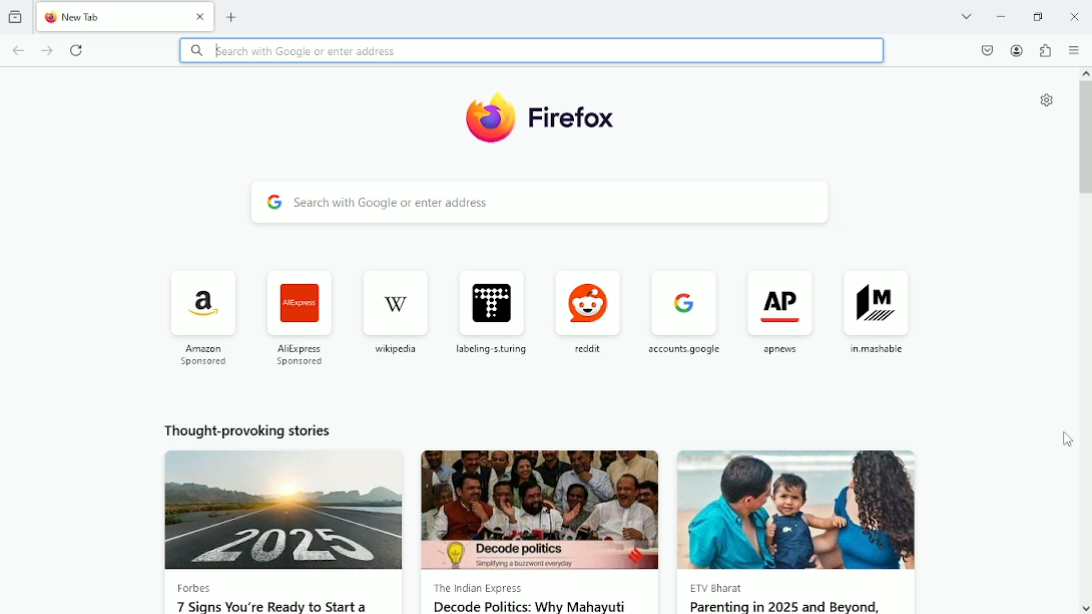 The height and width of the screenshot is (614, 1092). I want to click on customize new tab, so click(1044, 102).